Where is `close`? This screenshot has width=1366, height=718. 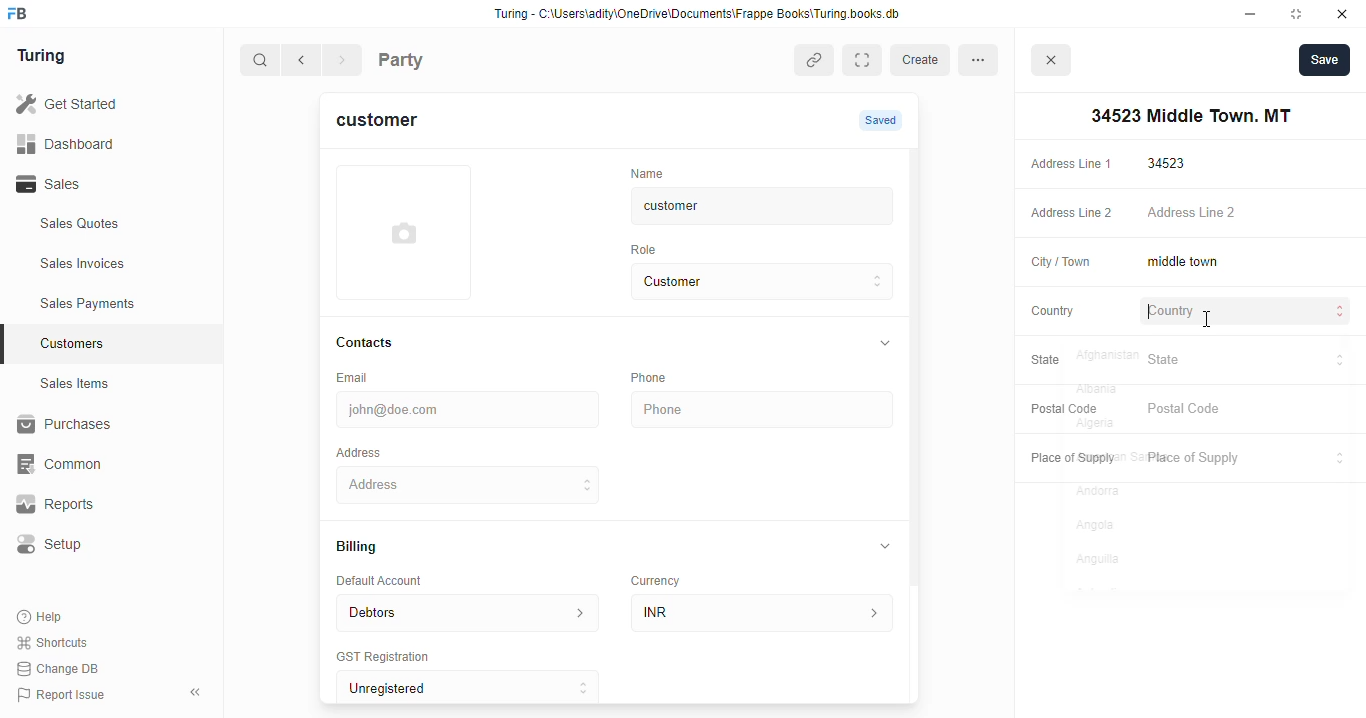 close is located at coordinates (1054, 63).